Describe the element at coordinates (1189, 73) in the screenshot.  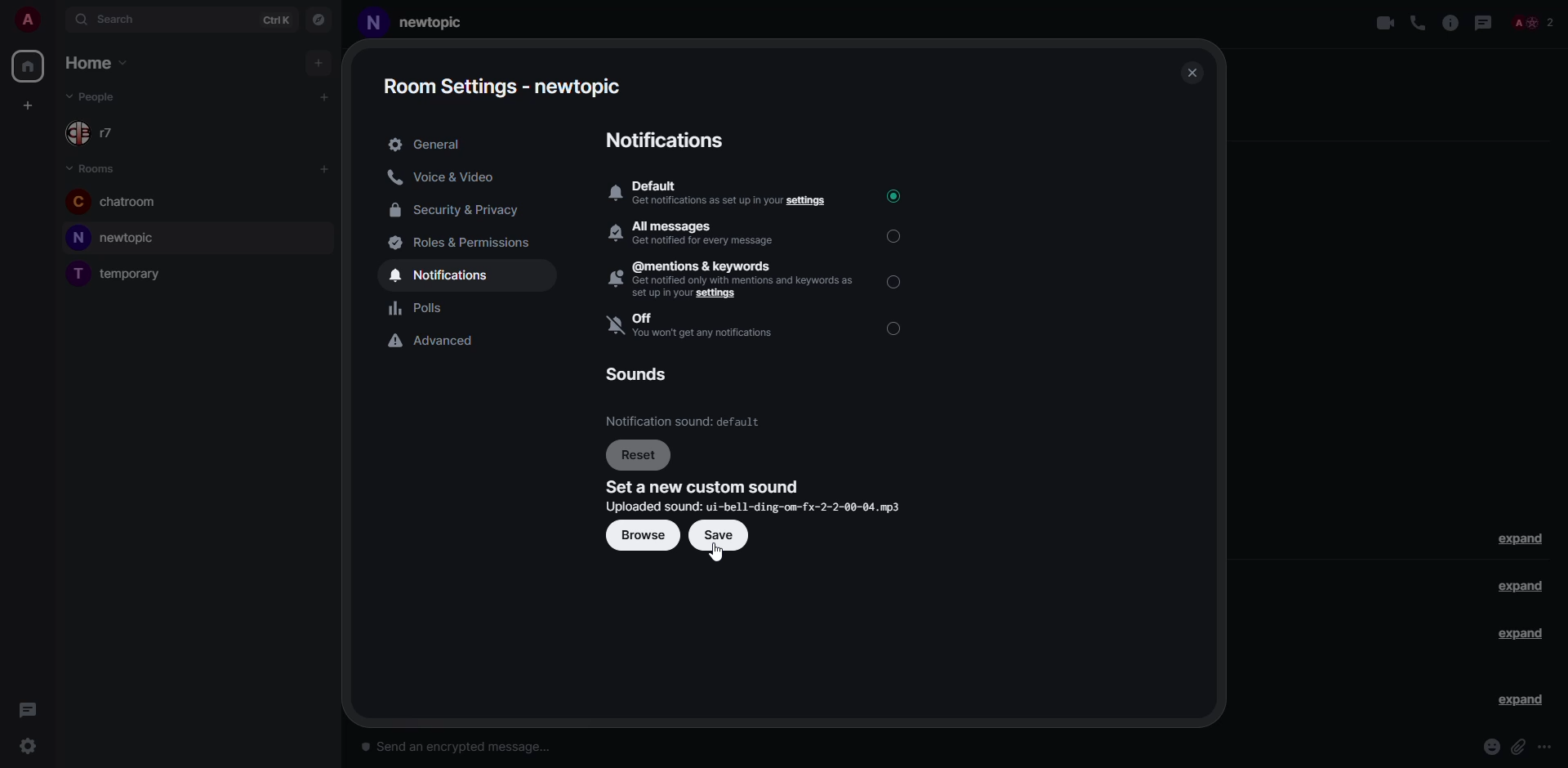
I see `close` at that location.